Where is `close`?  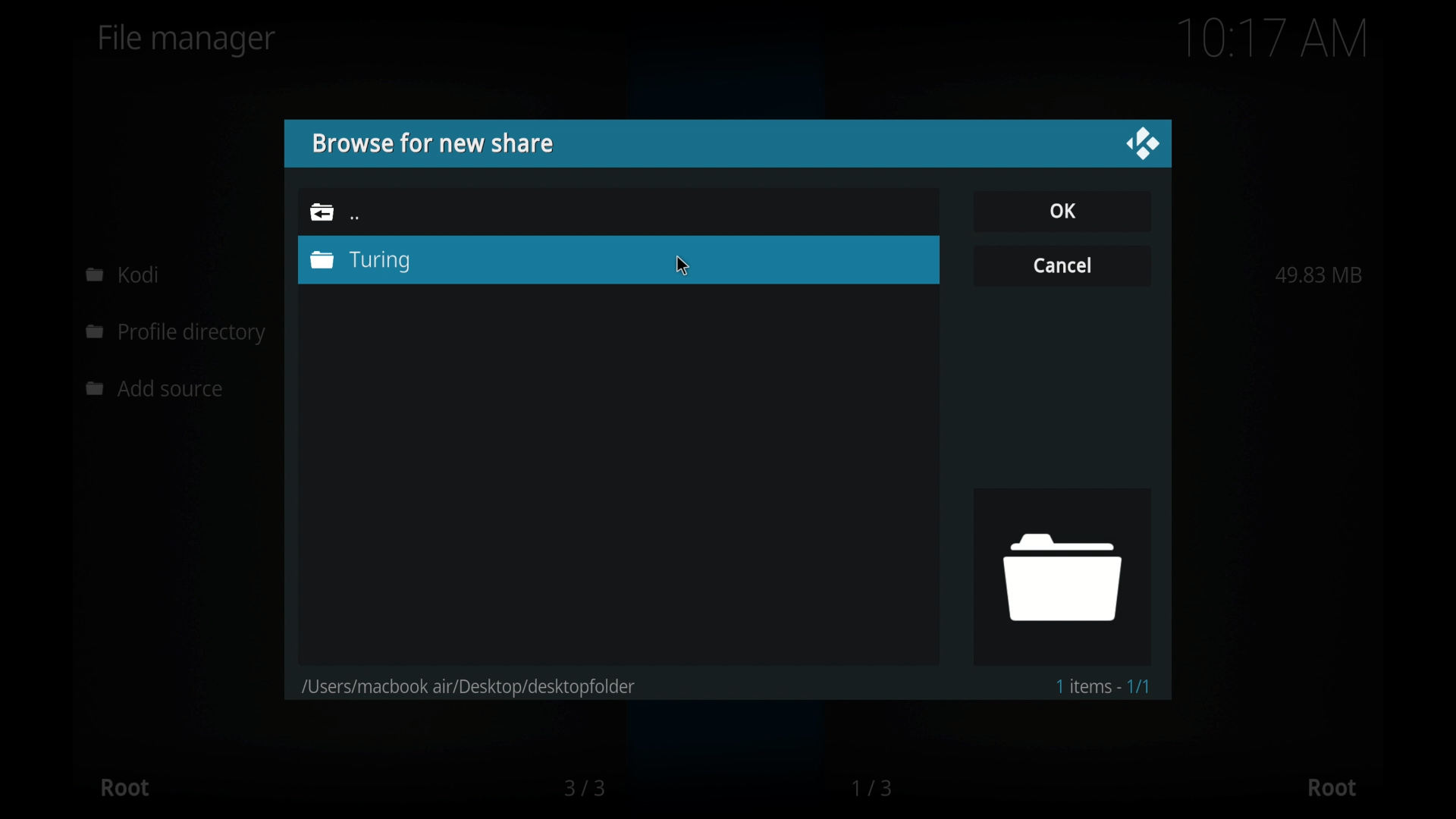
close is located at coordinates (1142, 144).